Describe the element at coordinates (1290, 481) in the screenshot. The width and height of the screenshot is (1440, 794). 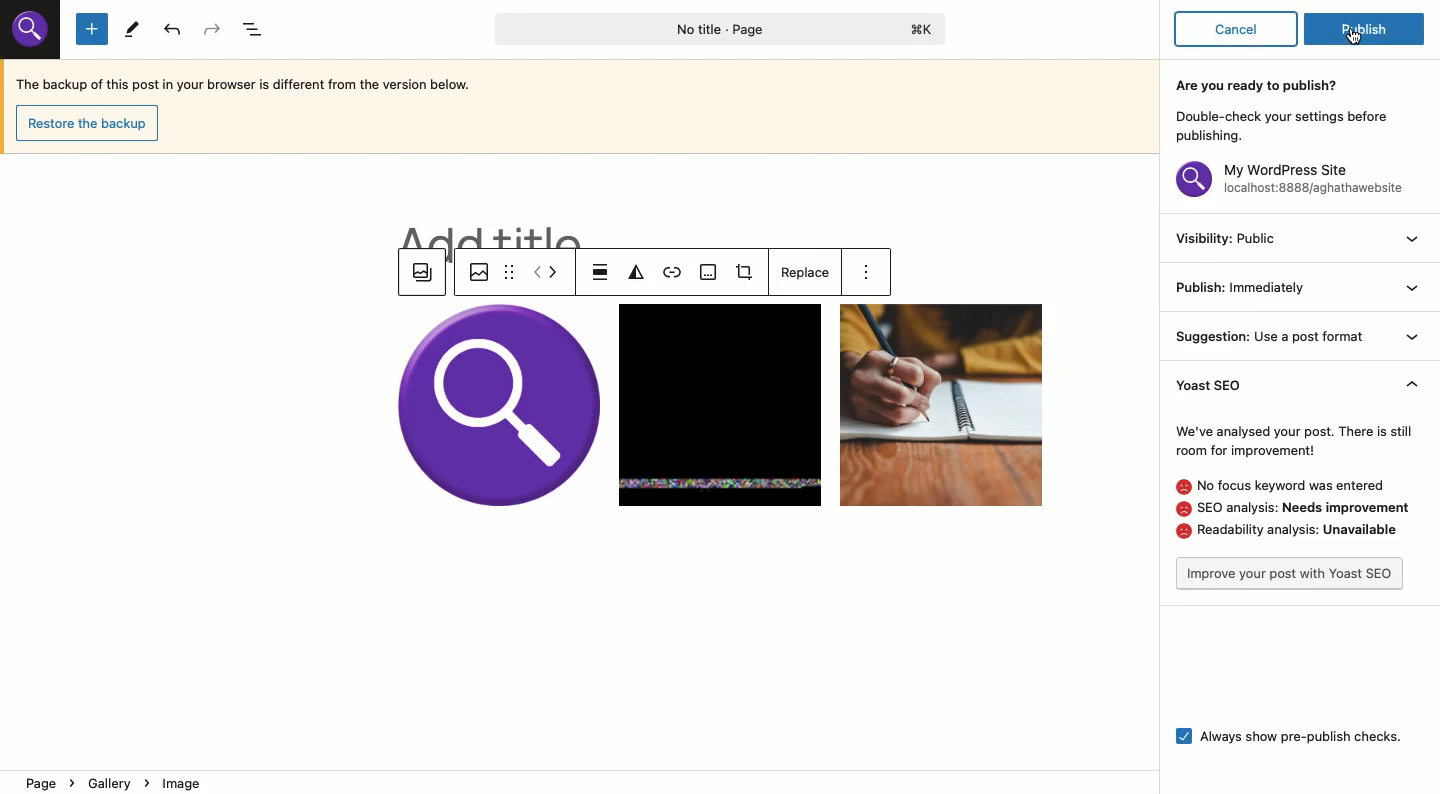
I see `Analysis` at that location.